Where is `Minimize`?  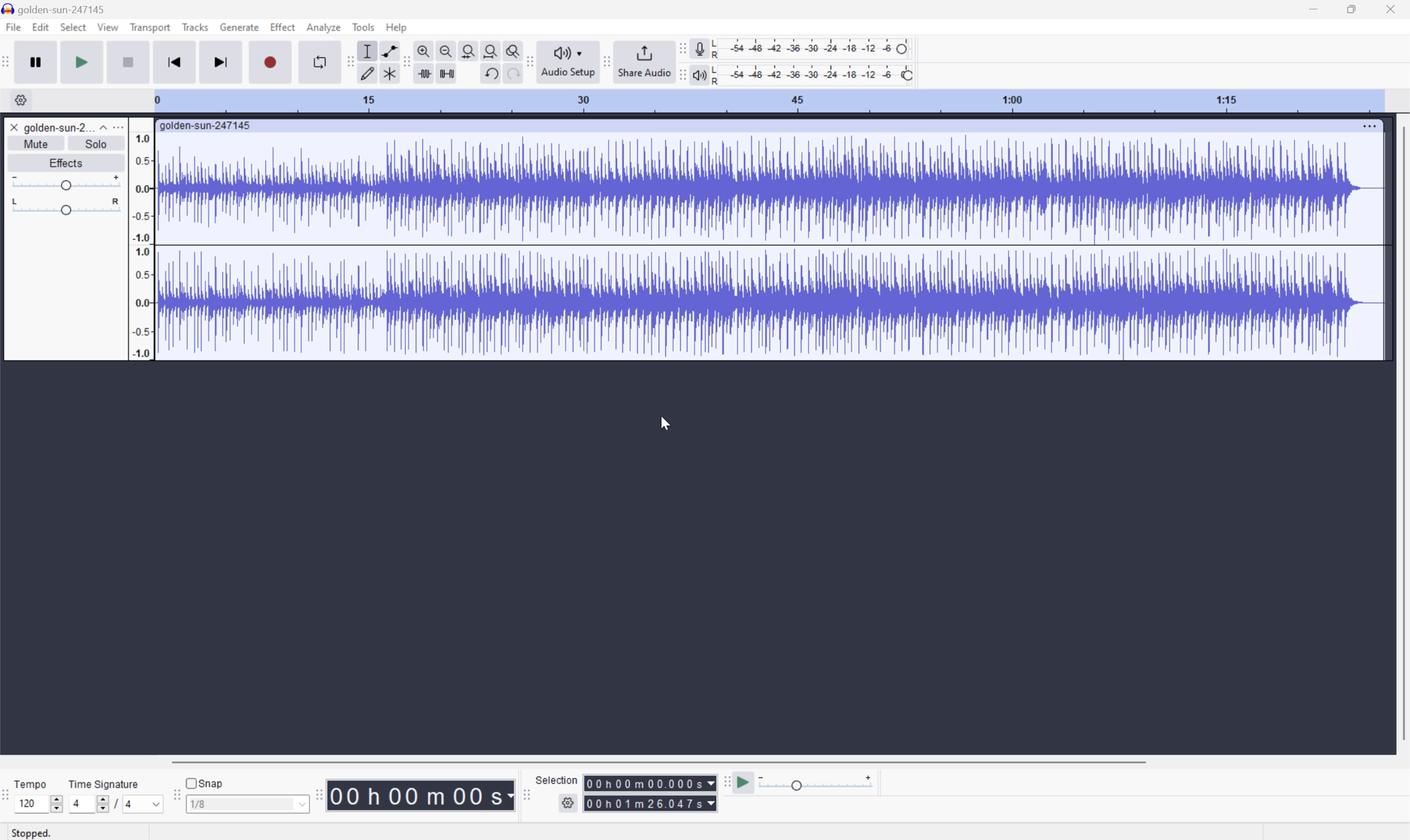
Minimize is located at coordinates (1313, 8).